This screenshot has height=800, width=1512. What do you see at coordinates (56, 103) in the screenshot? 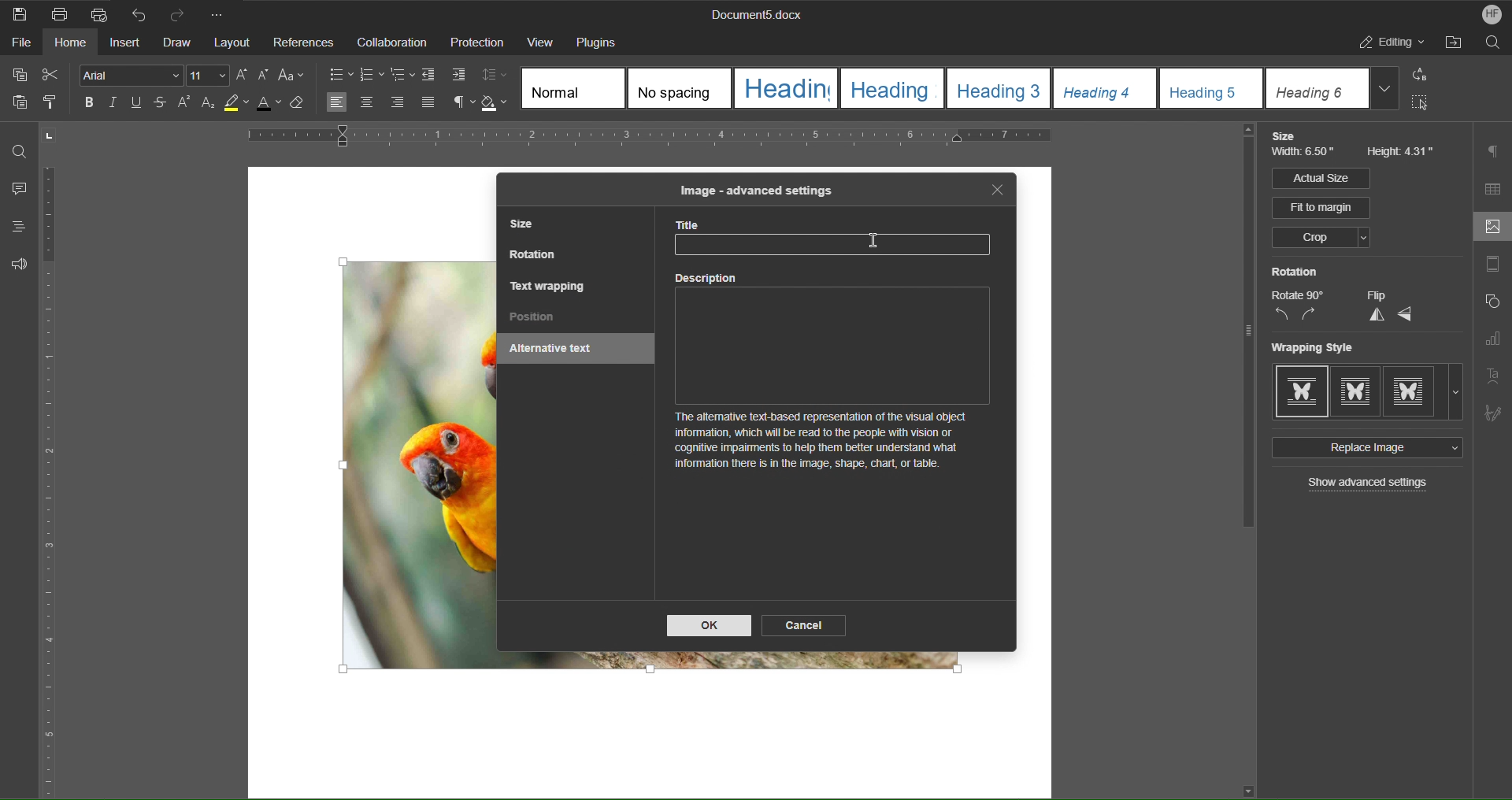
I see `Copy Style` at bounding box center [56, 103].